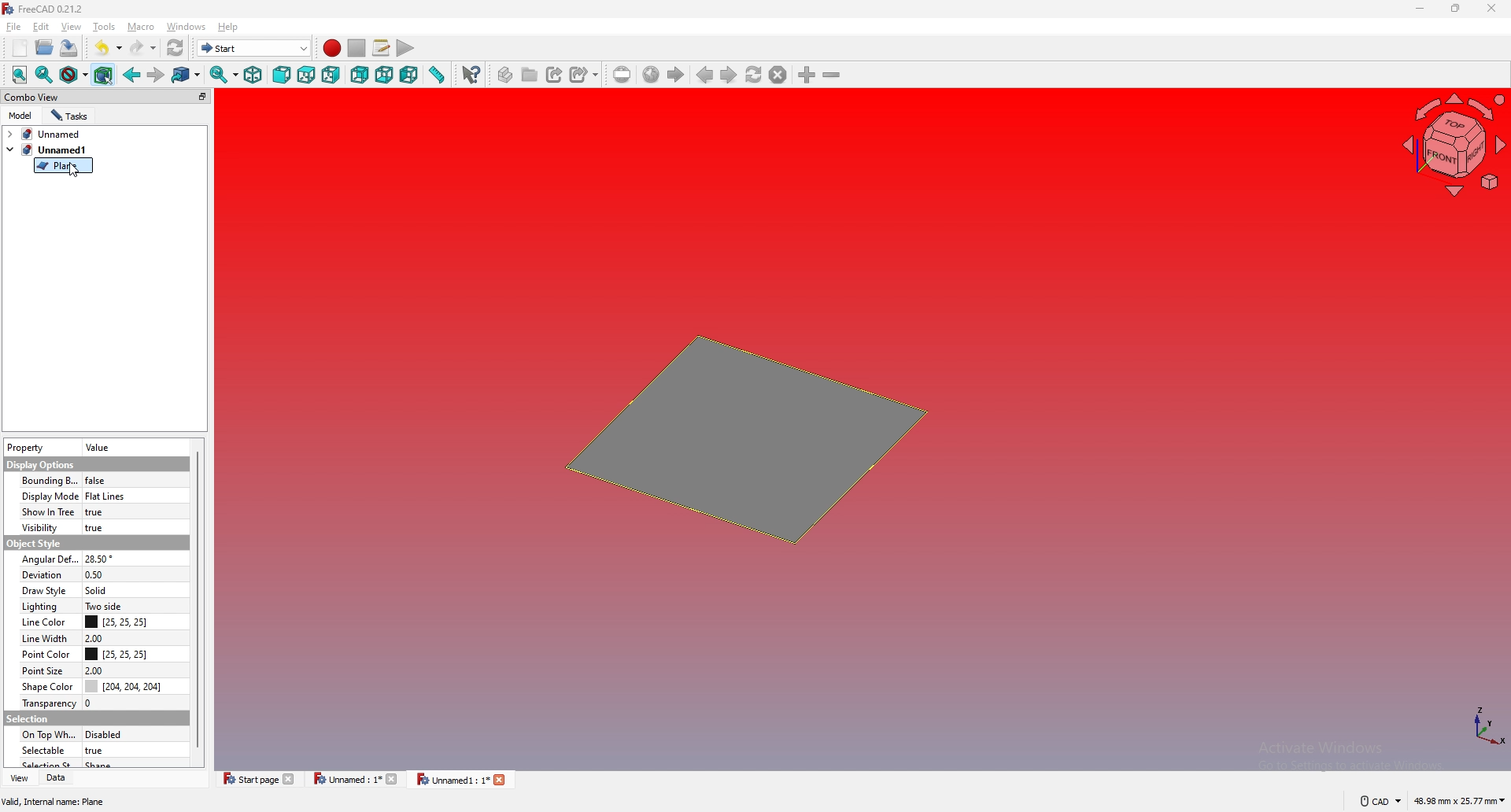  I want to click on view, so click(18, 778).